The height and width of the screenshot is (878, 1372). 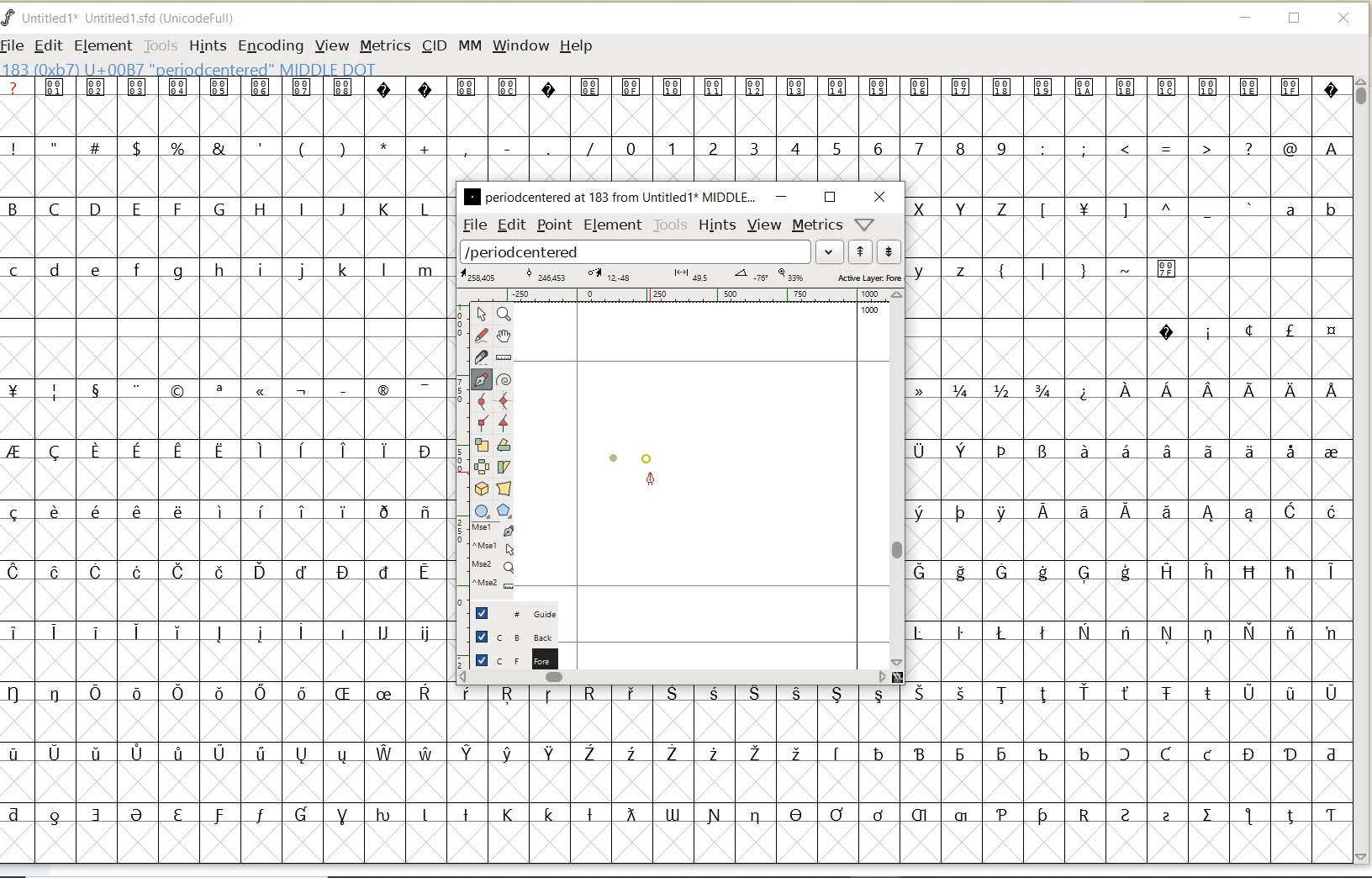 What do you see at coordinates (830, 196) in the screenshot?
I see `restore` at bounding box center [830, 196].